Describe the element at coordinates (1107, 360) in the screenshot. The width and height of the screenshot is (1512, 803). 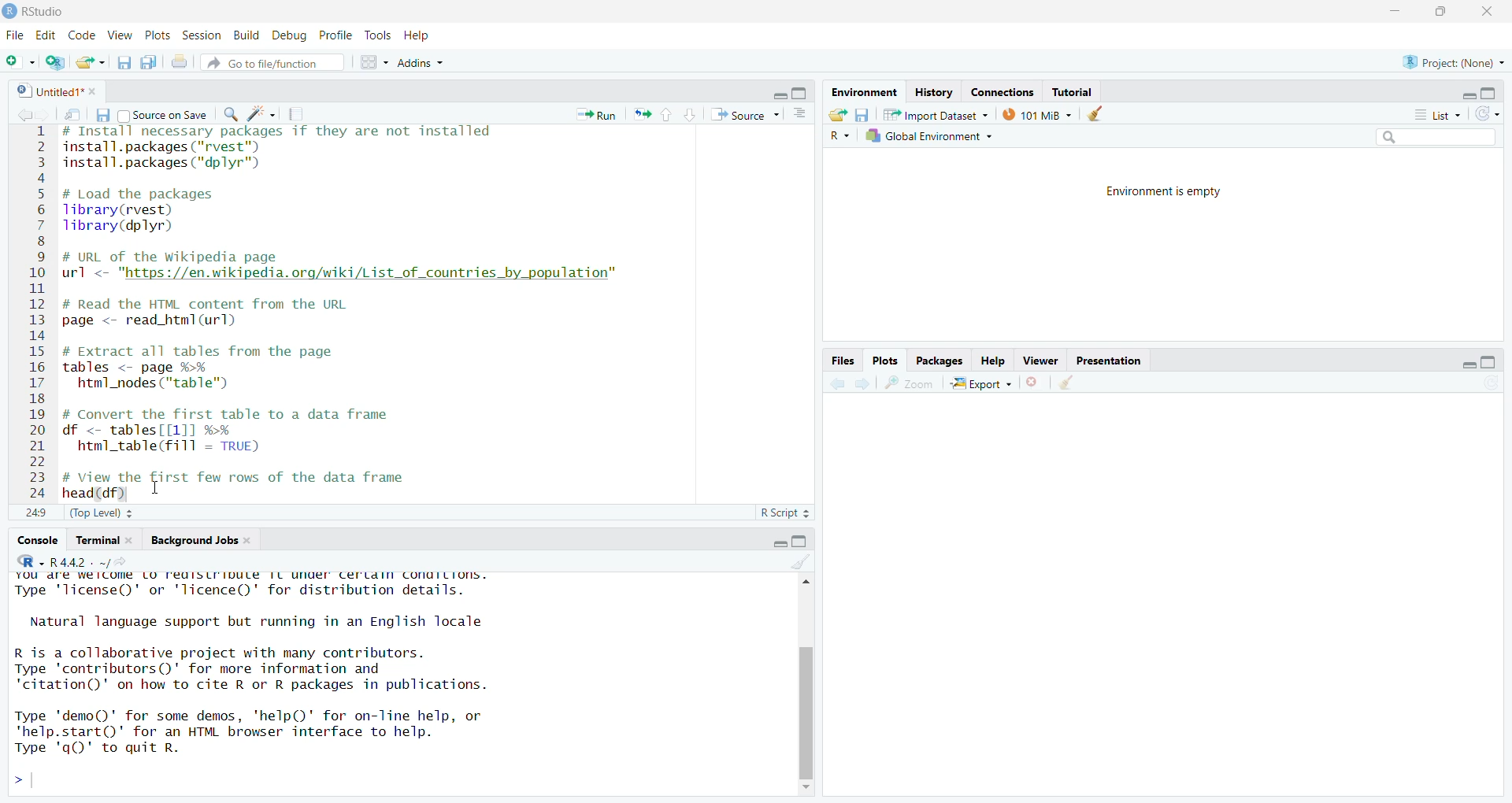
I see `Presentation` at that location.